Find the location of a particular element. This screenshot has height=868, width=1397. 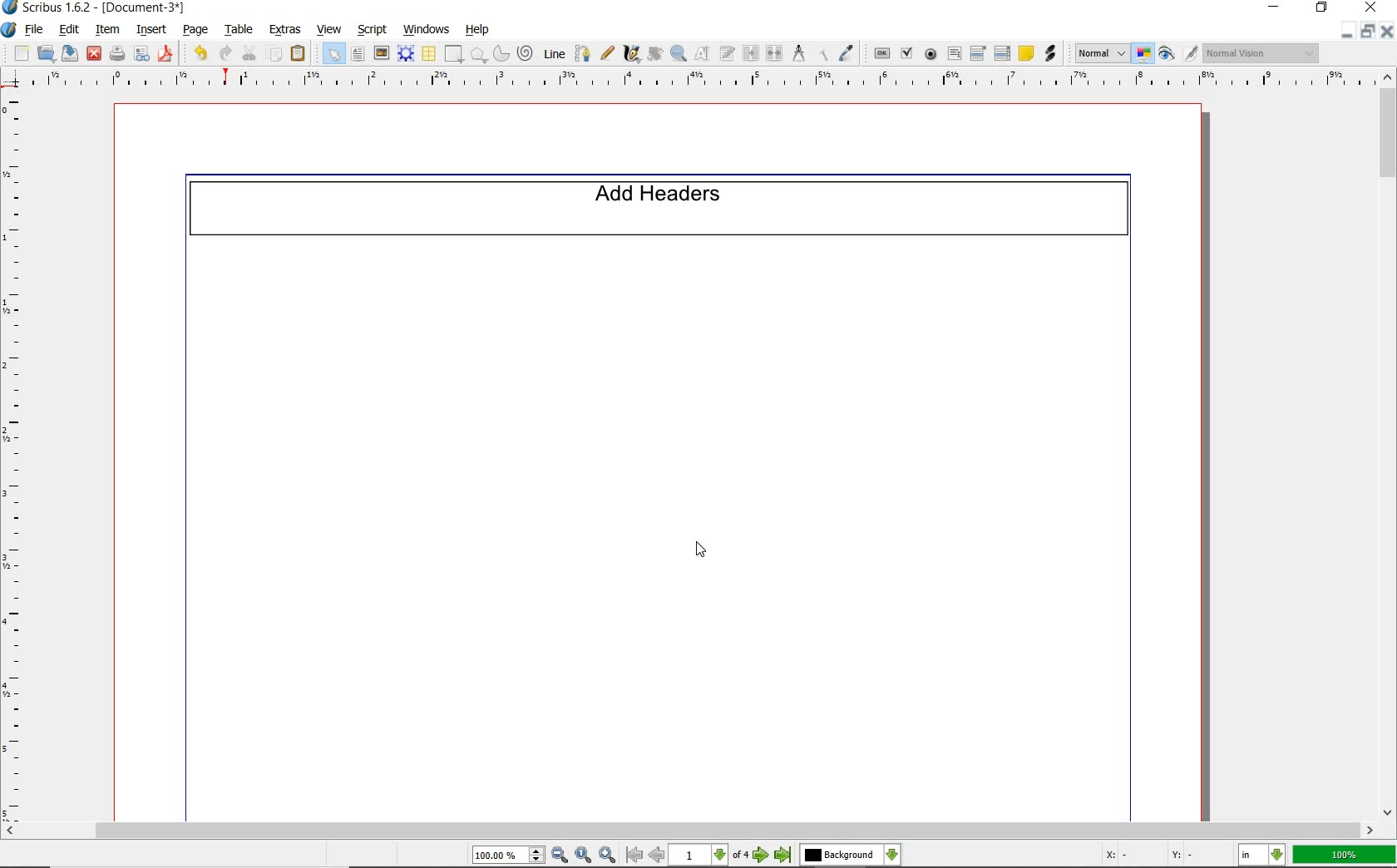

pdf combo box is located at coordinates (979, 54).